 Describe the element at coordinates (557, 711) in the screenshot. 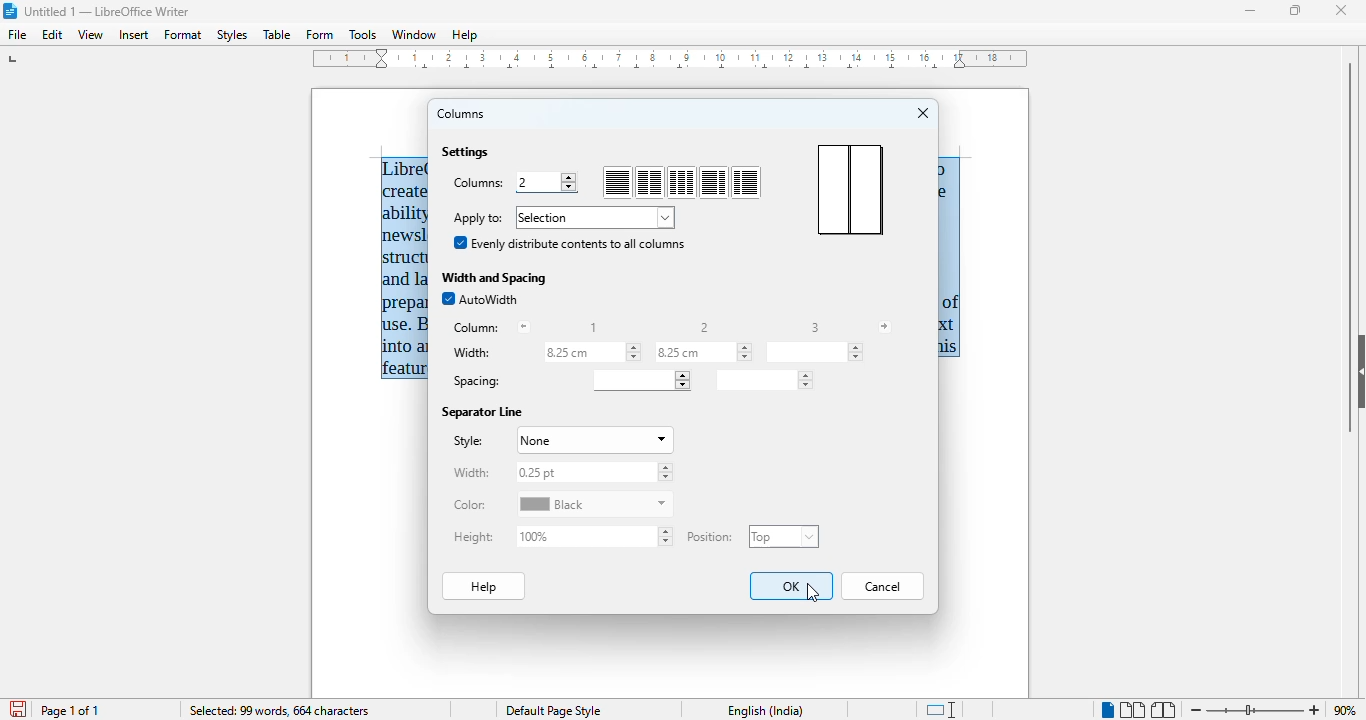

I see `Default page style` at that location.